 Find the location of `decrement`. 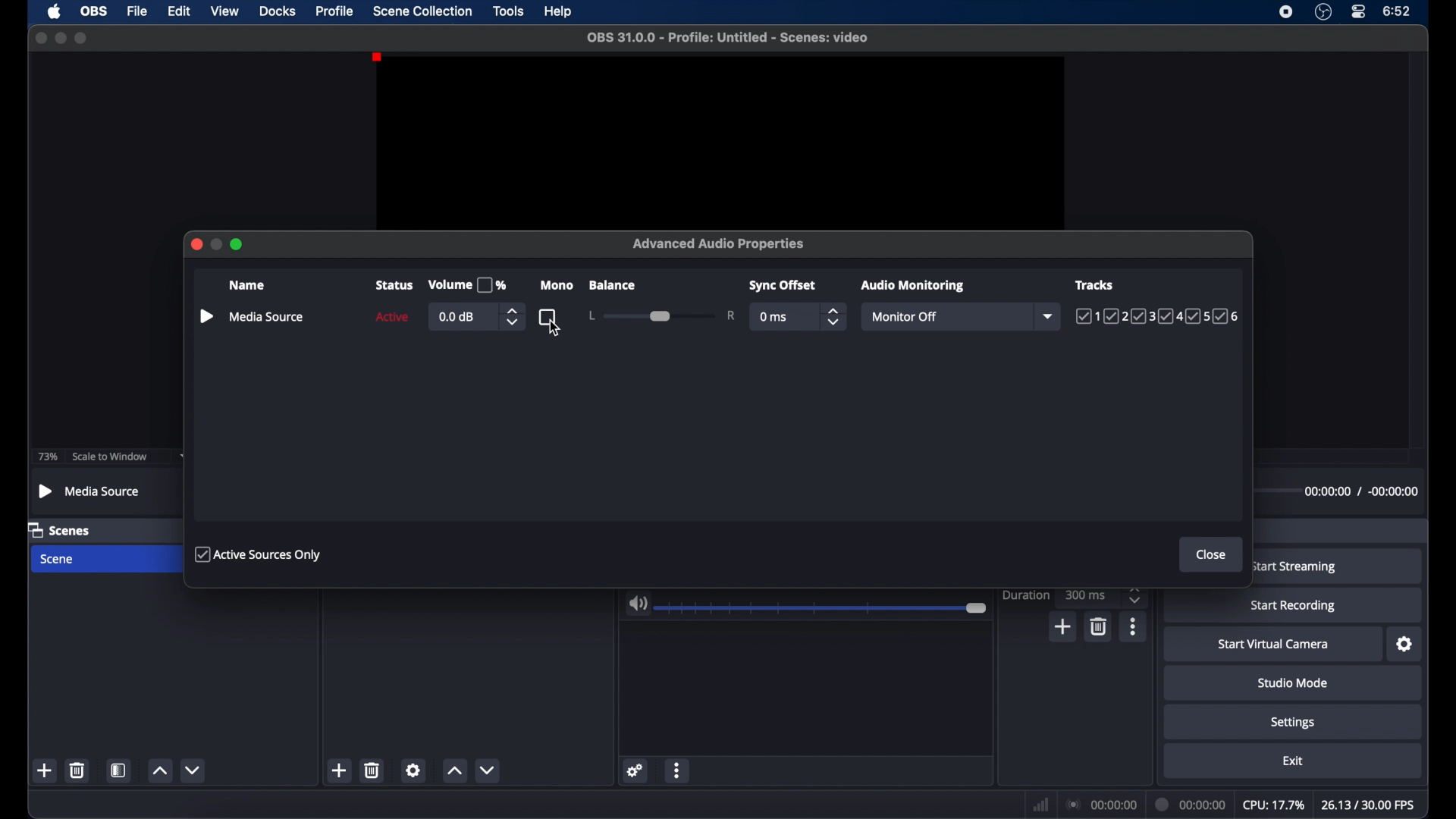

decrement is located at coordinates (193, 769).